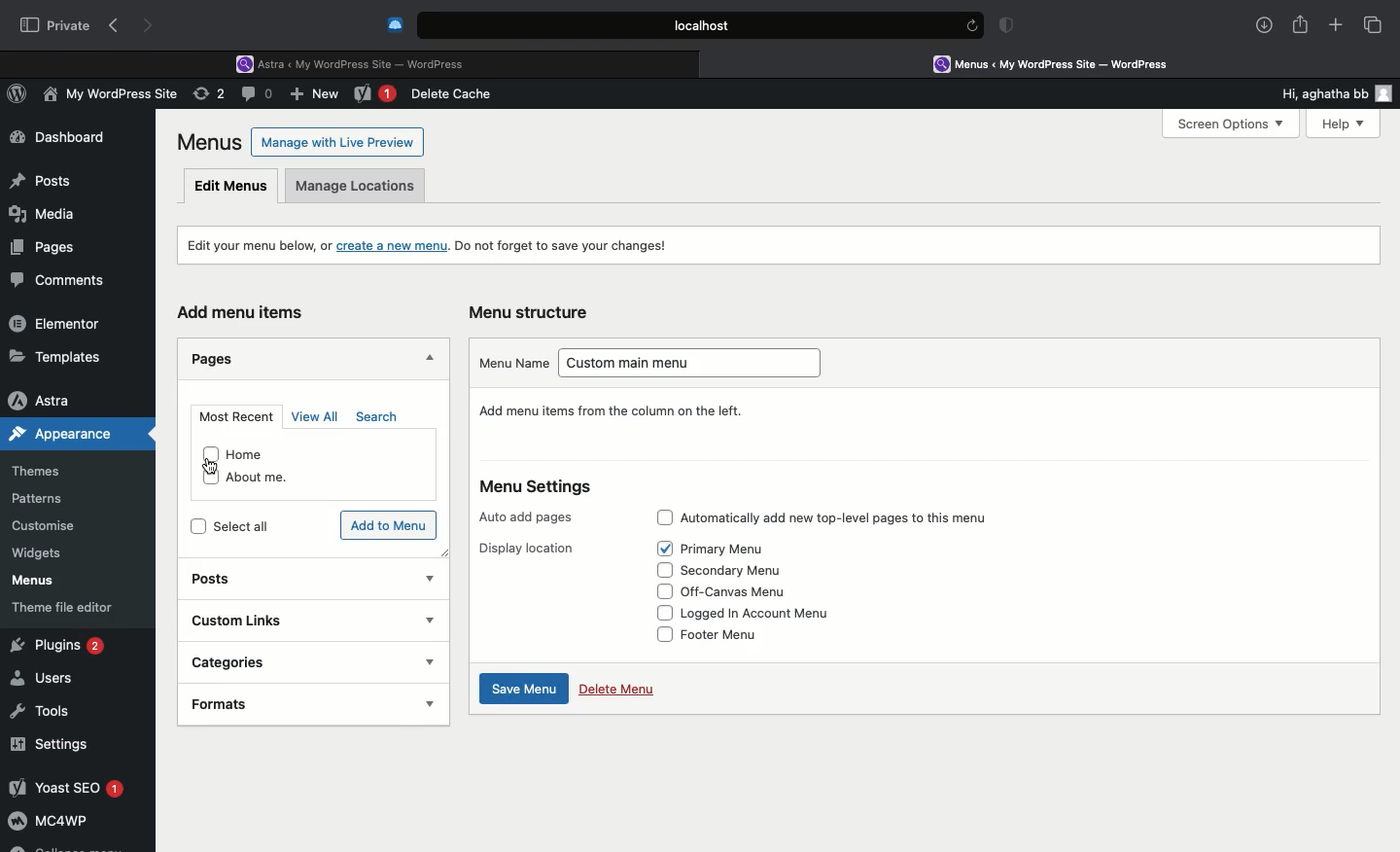  I want to click on New, so click(375, 95).